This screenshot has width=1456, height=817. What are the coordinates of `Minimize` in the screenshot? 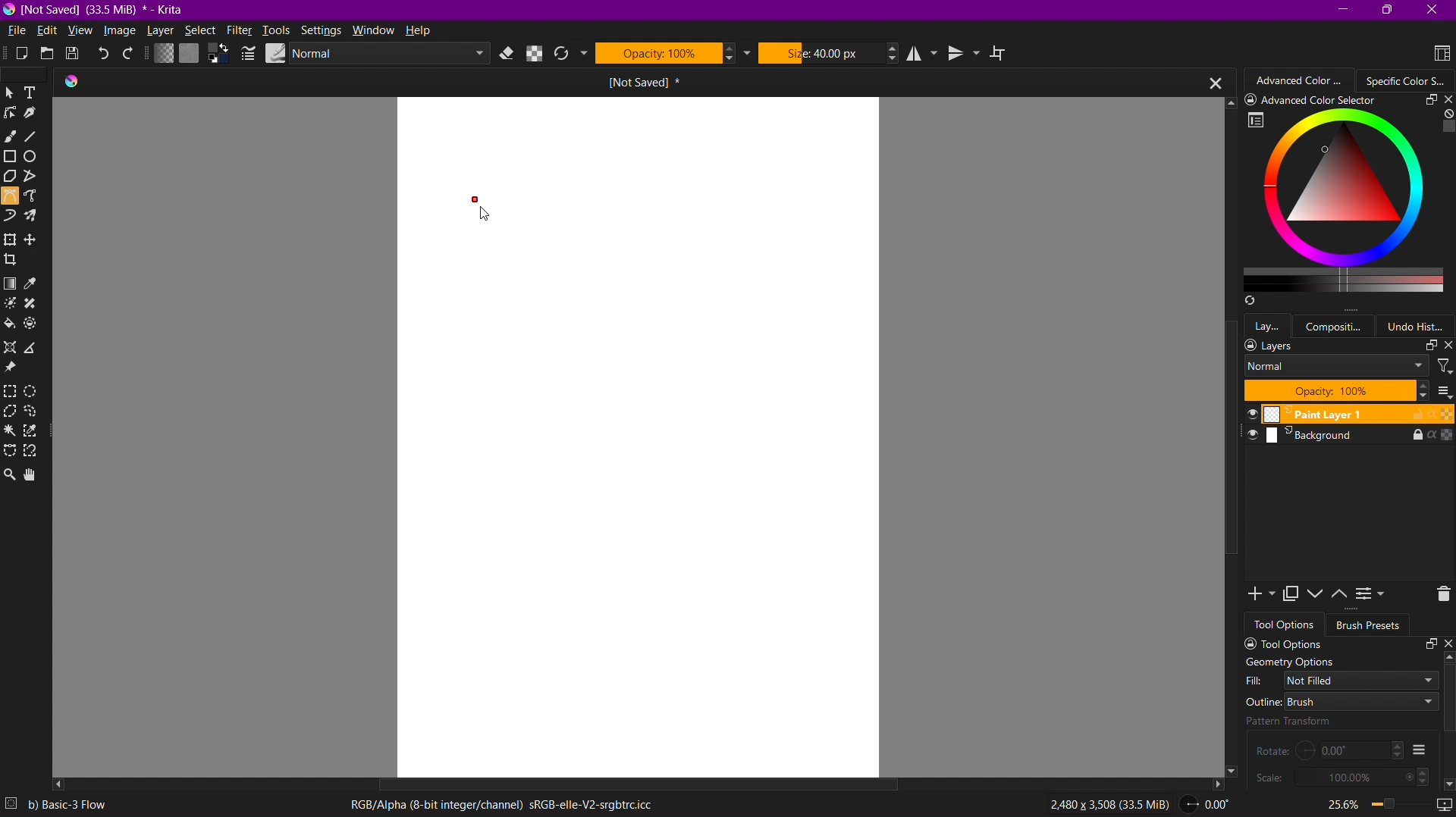 It's located at (1341, 9).